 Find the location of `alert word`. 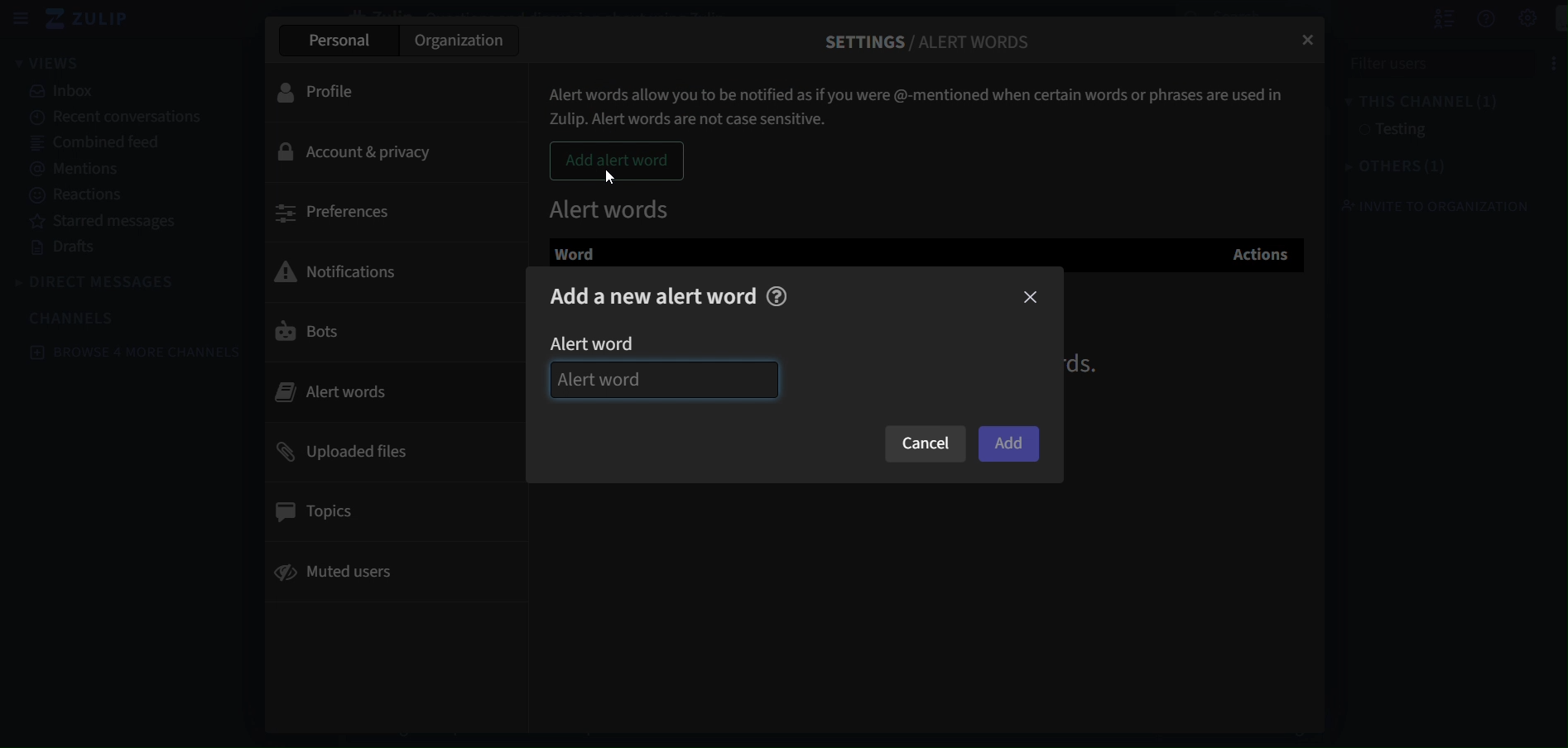

alert word is located at coordinates (606, 343).